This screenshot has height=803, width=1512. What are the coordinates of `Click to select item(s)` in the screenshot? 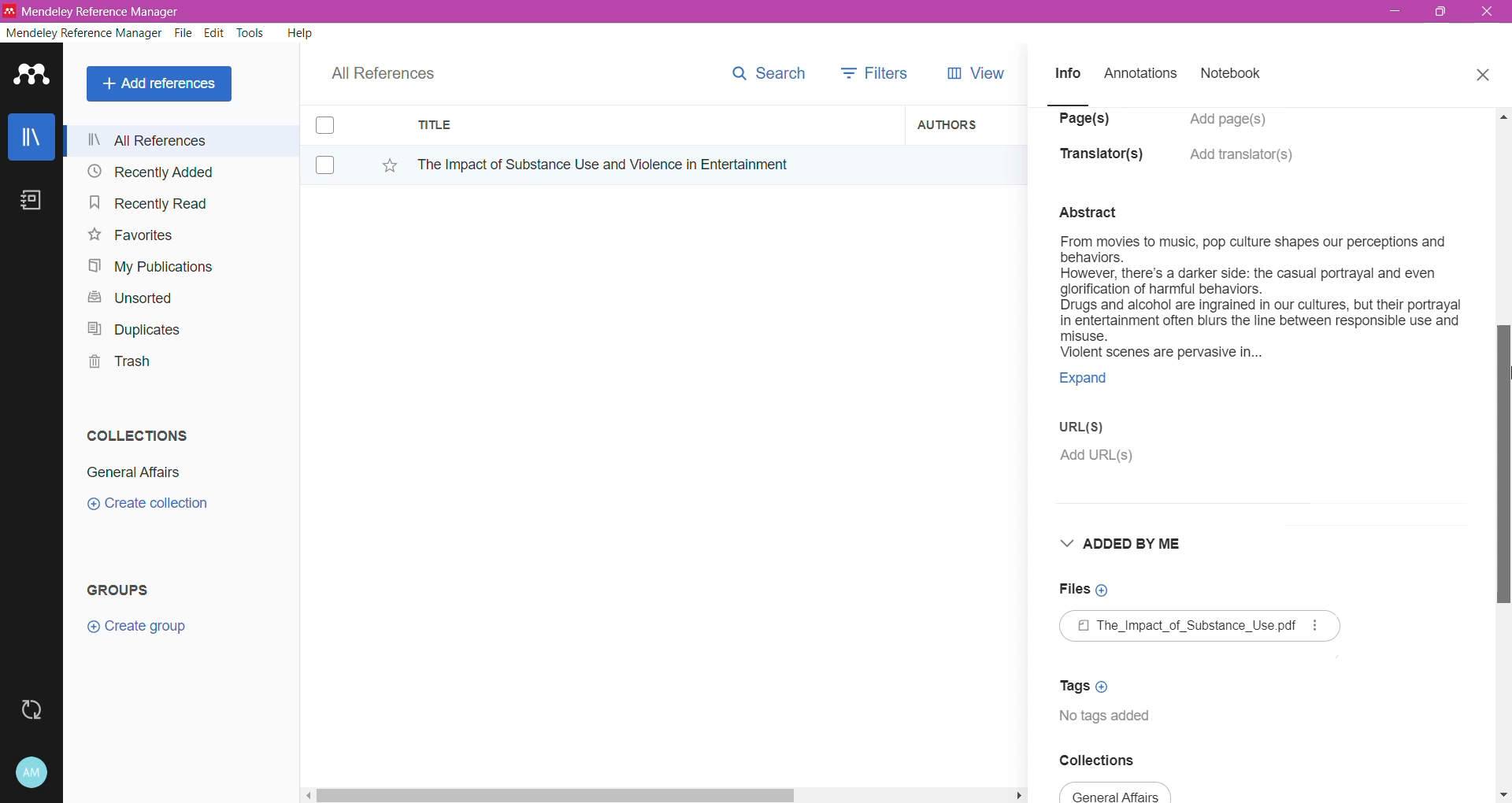 It's located at (333, 144).